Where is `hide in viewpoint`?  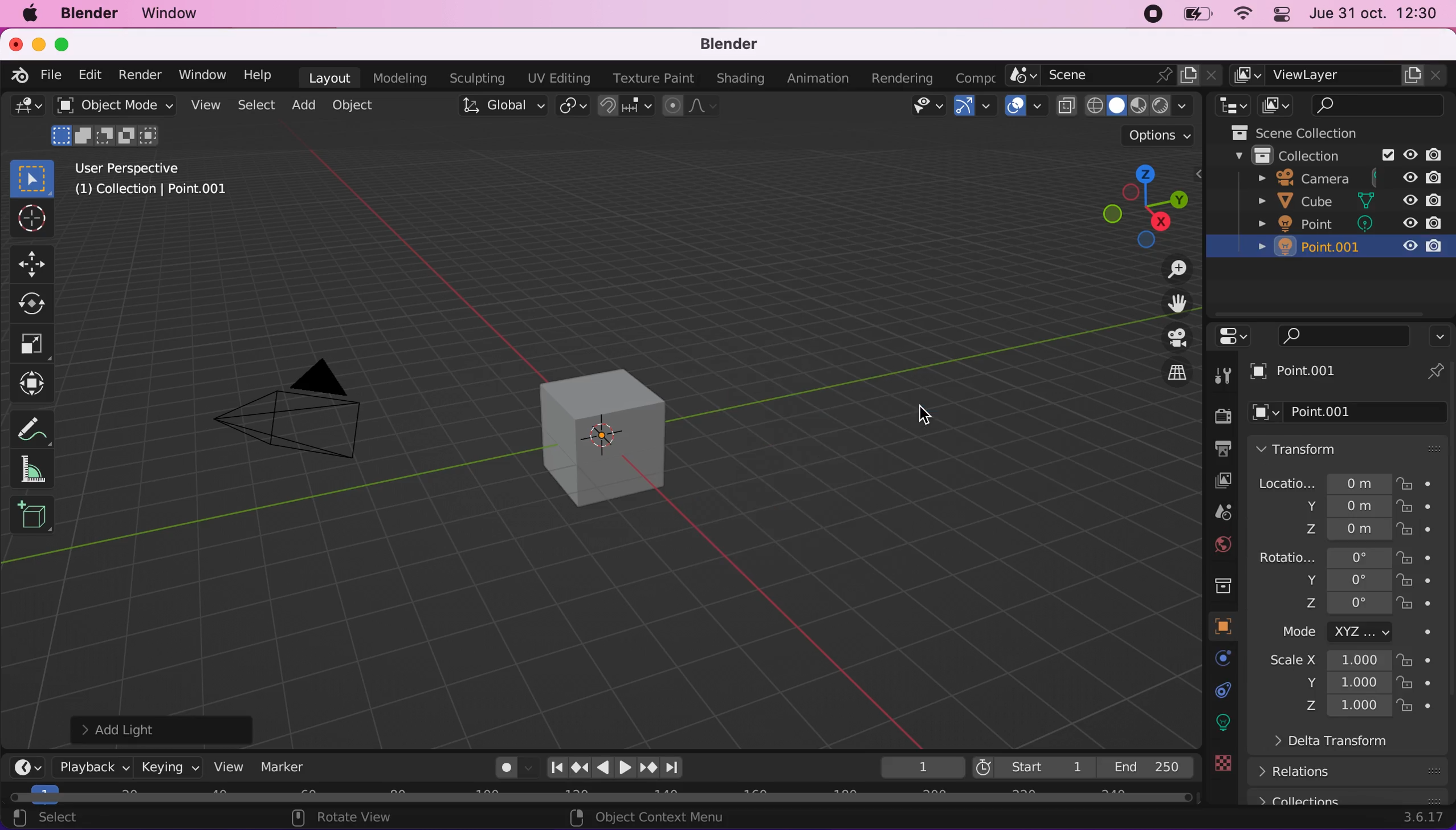 hide in viewpoint is located at coordinates (1408, 225).